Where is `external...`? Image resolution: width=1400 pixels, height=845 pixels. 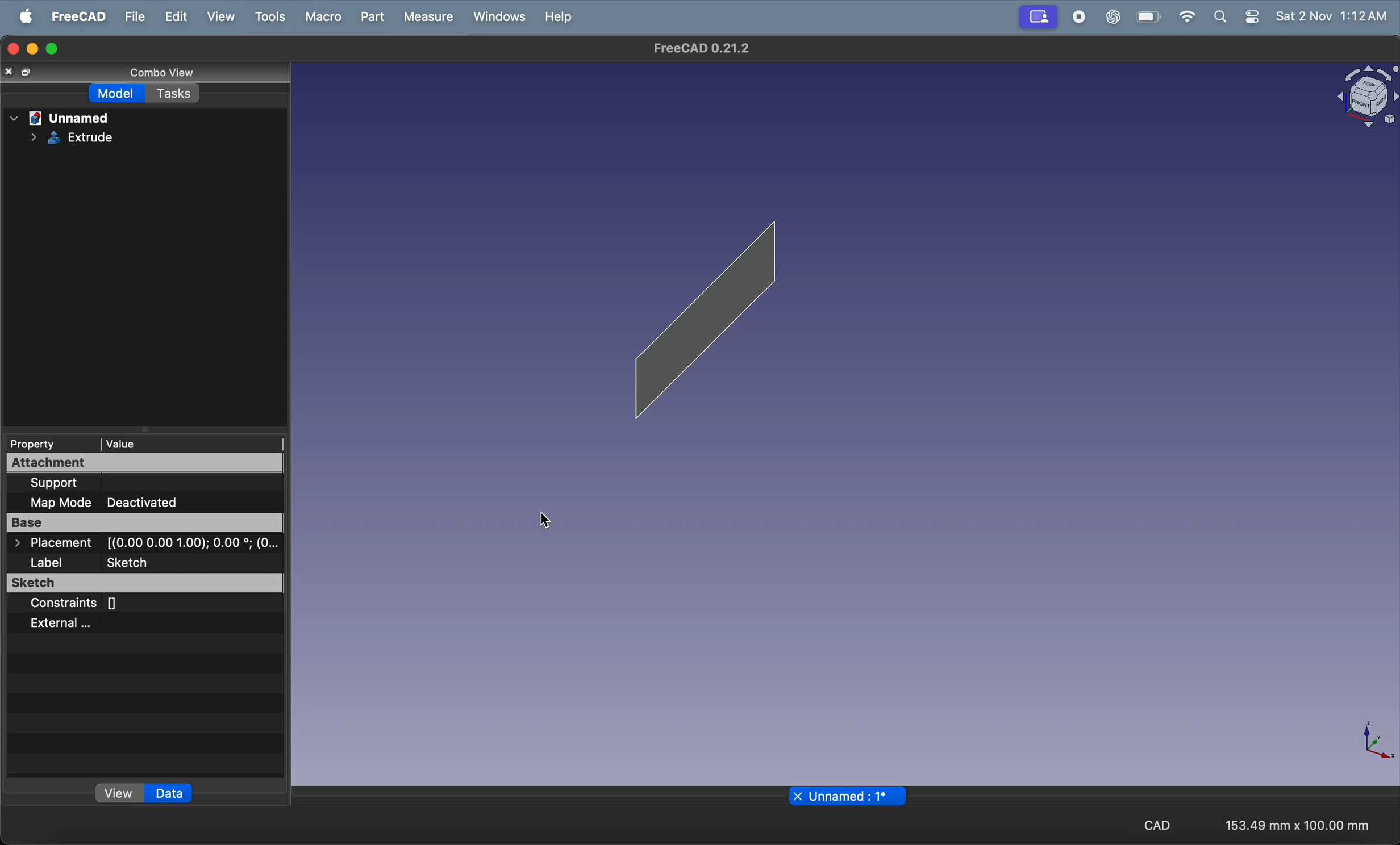 external... is located at coordinates (64, 625).